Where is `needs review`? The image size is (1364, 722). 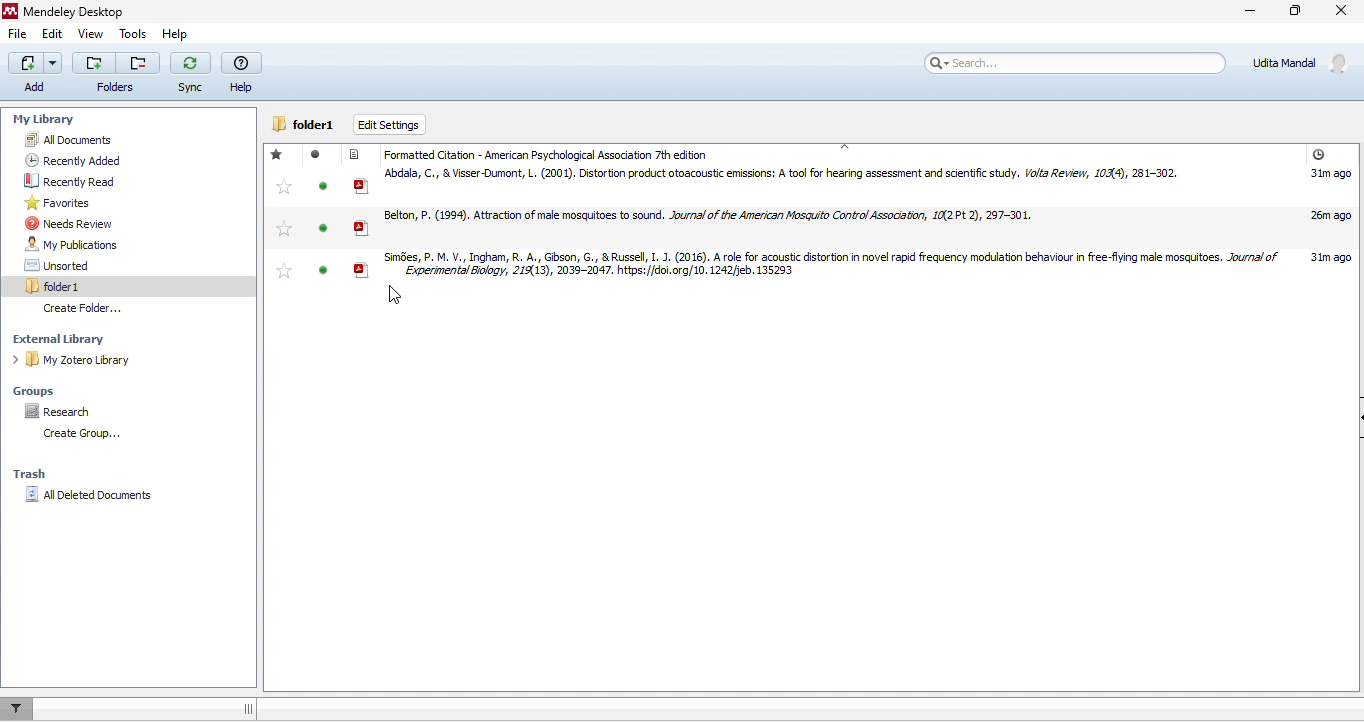 needs review is located at coordinates (70, 225).